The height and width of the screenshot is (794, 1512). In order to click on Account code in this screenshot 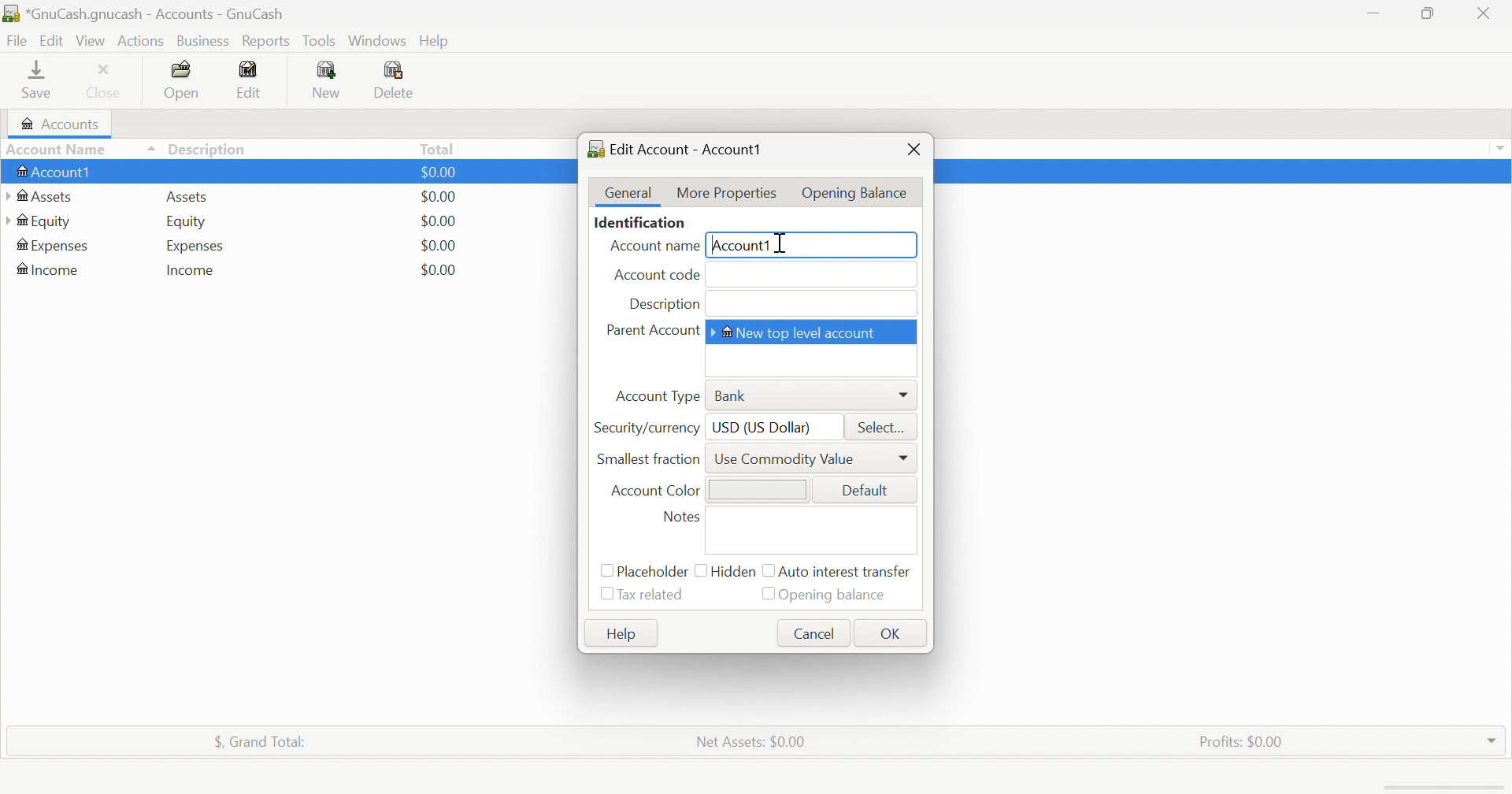, I will do `click(658, 275)`.